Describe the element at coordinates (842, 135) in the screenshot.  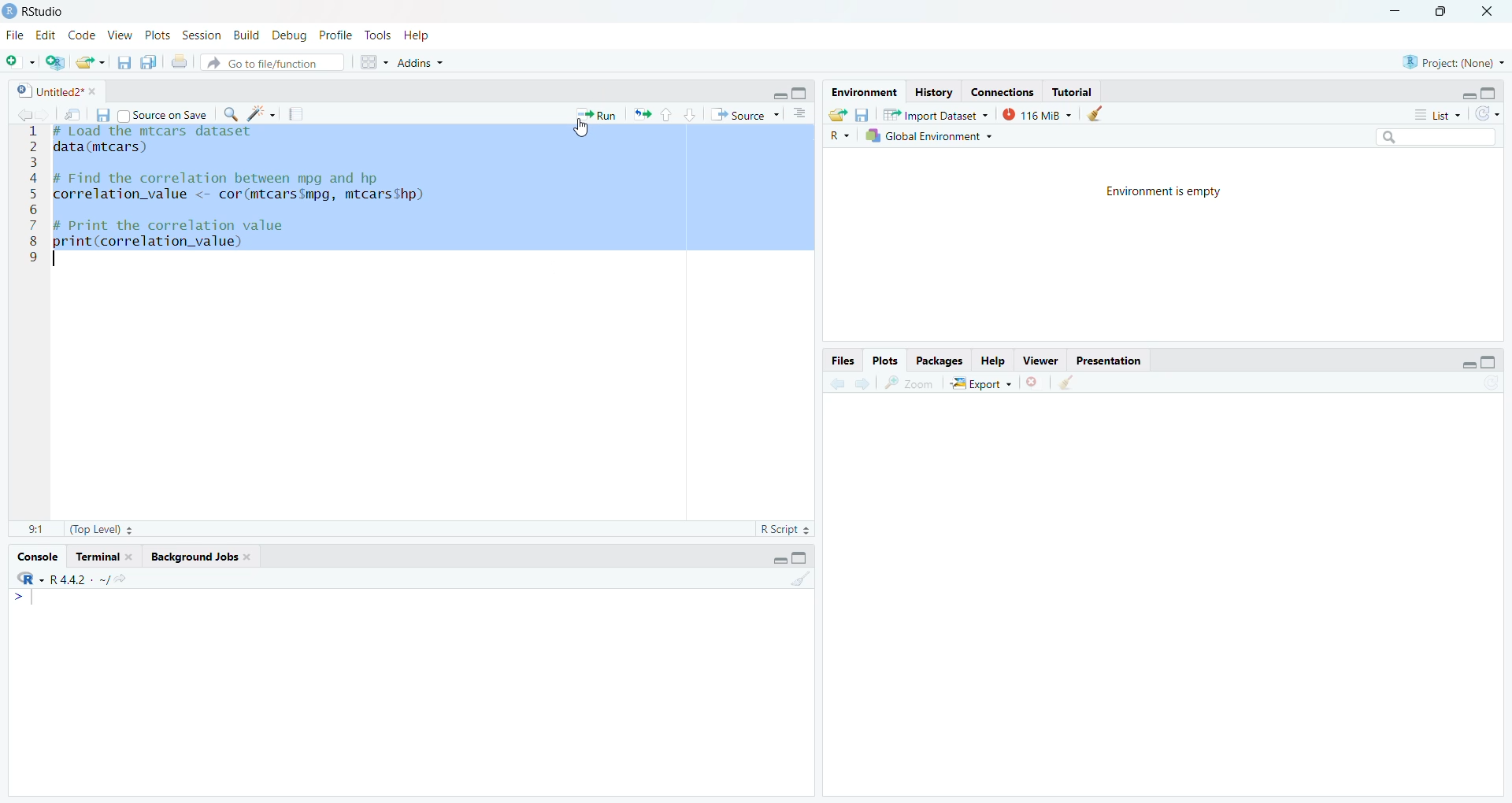
I see `R` at that location.